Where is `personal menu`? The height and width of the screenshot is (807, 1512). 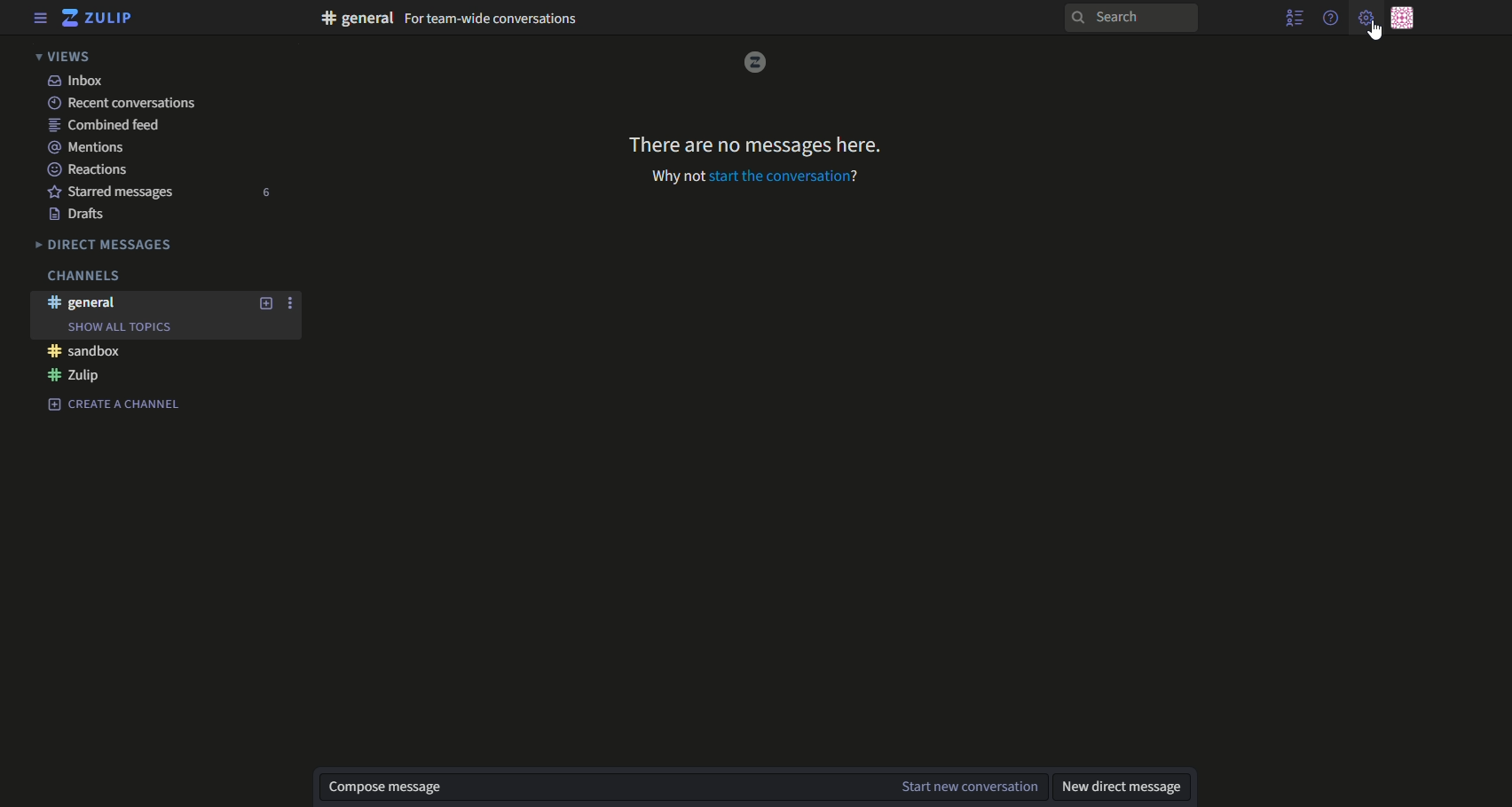
personal menu is located at coordinates (1404, 17).